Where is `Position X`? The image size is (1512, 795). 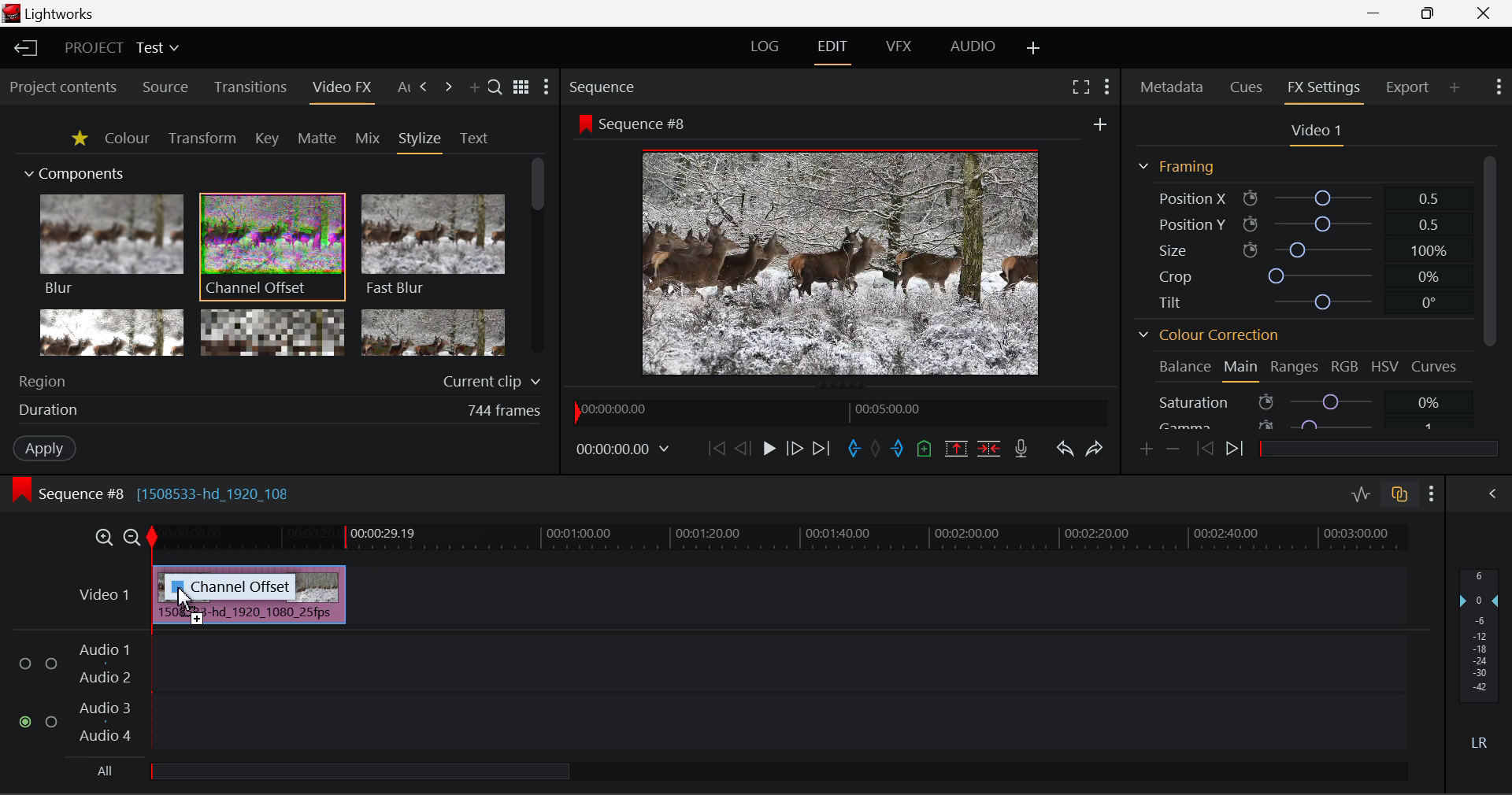 Position X is located at coordinates (1303, 198).